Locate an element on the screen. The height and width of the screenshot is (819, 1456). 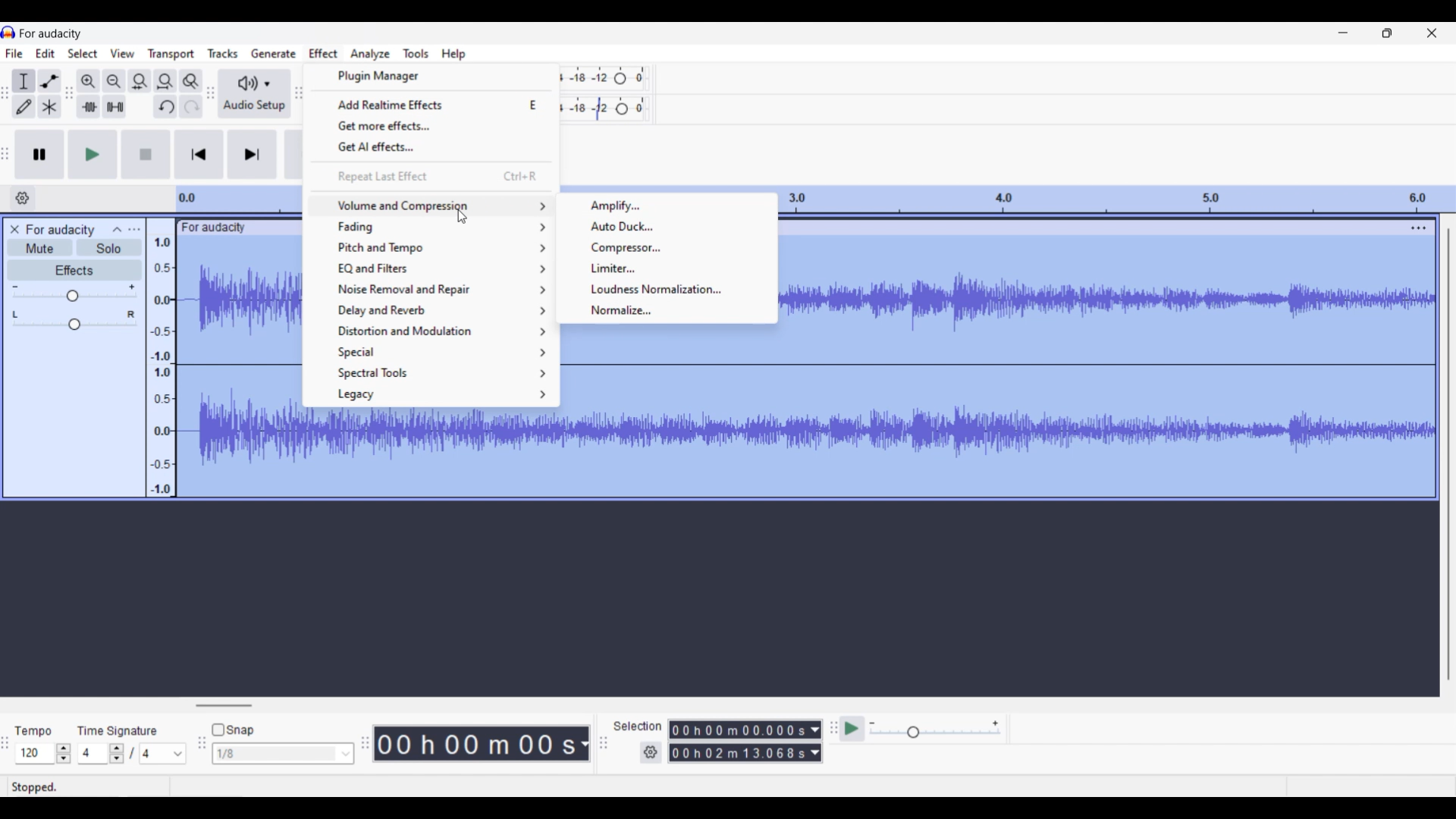
Amplify is located at coordinates (667, 206).